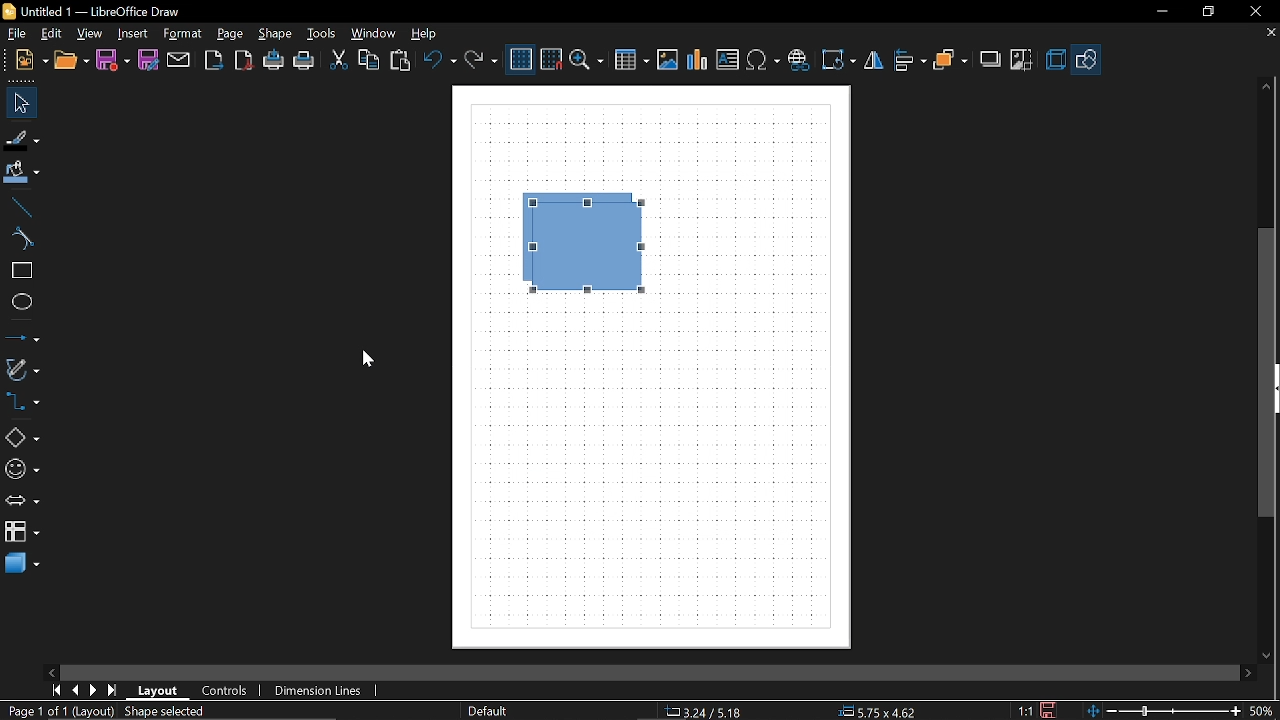  Describe the element at coordinates (876, 61) in the screenshot. I see `Flip` at that location.